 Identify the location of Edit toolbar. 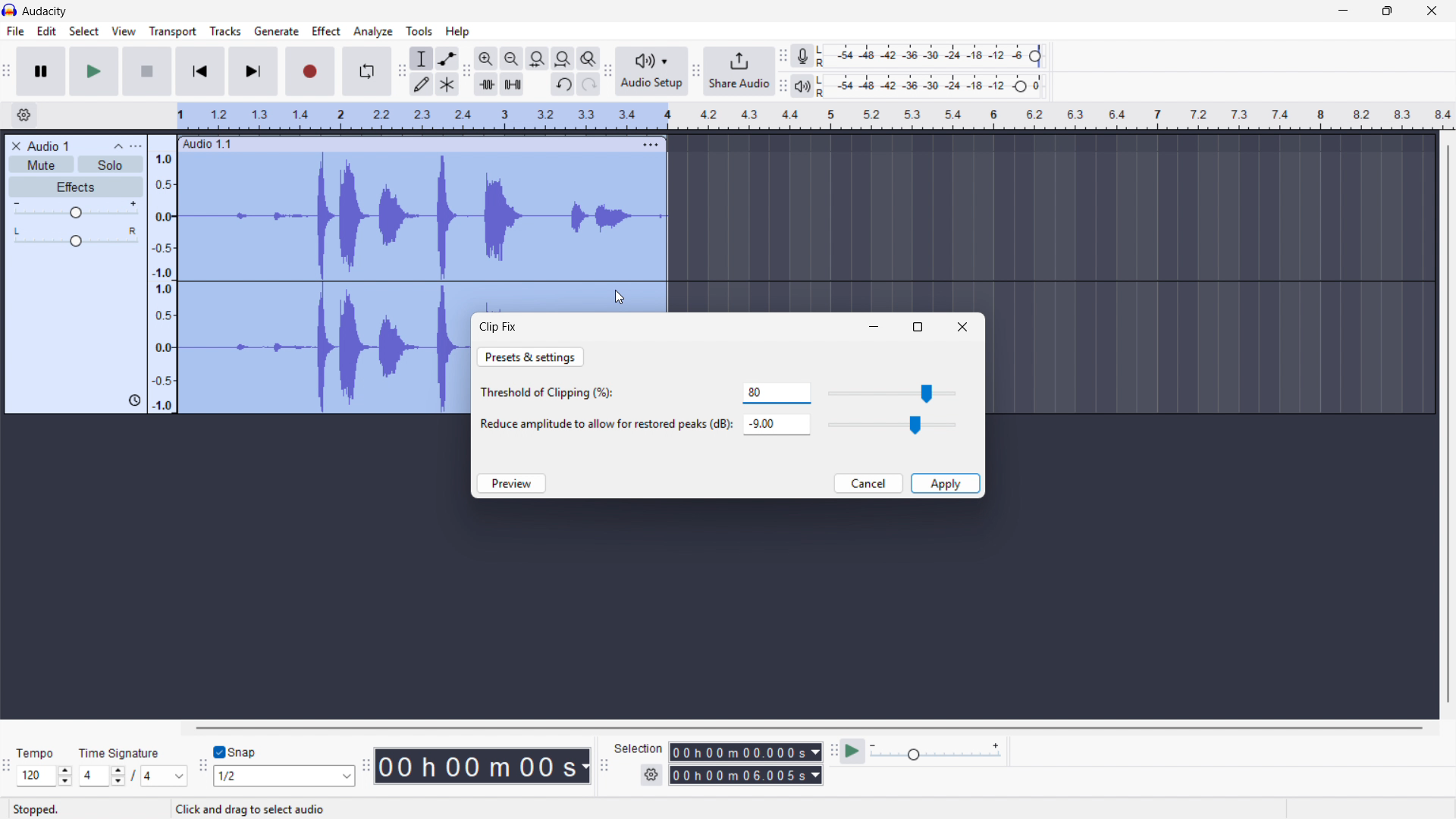
(466, 71).